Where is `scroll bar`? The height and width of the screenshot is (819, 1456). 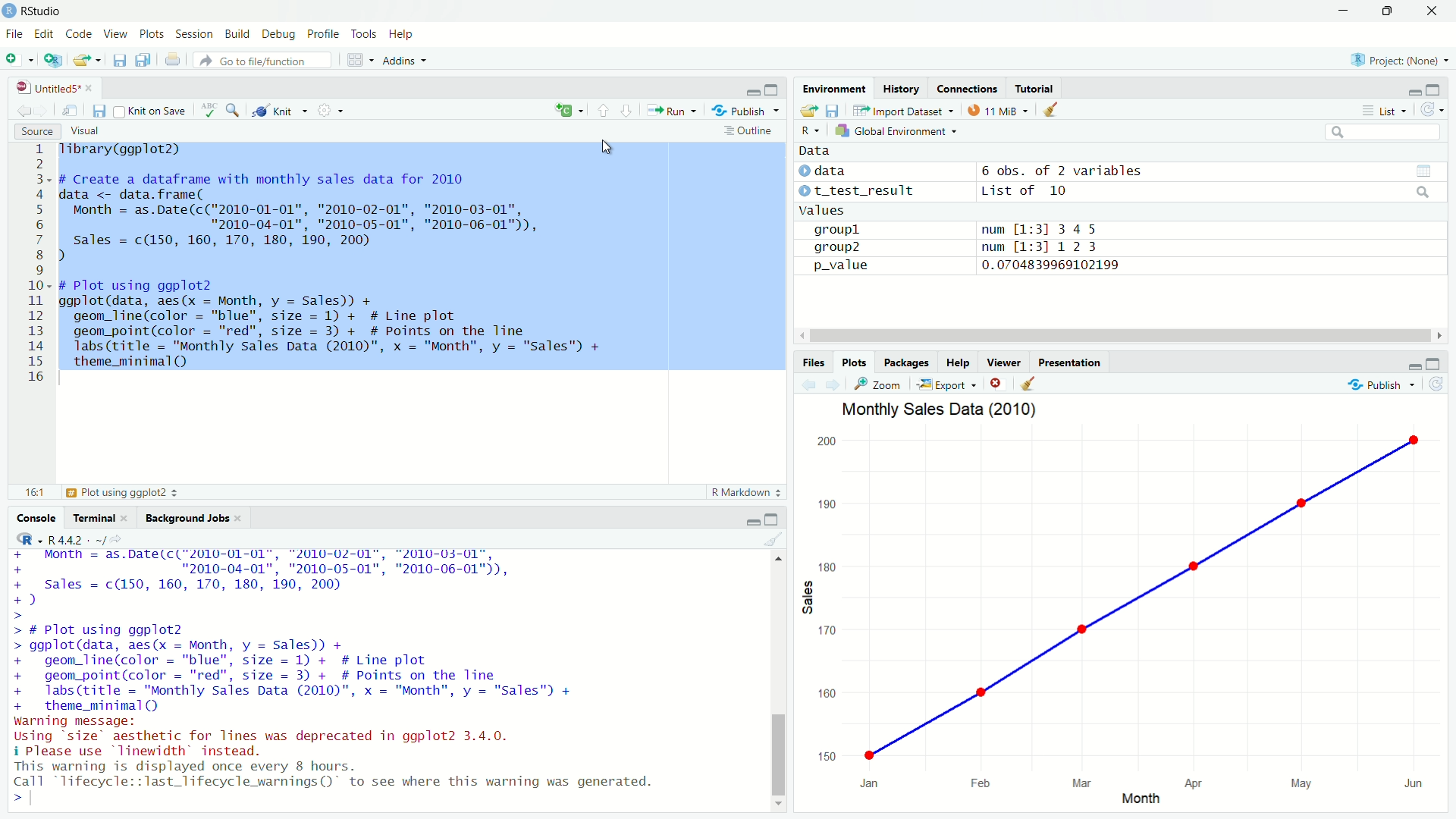
scroll bar is located at coordinates (775, 679).